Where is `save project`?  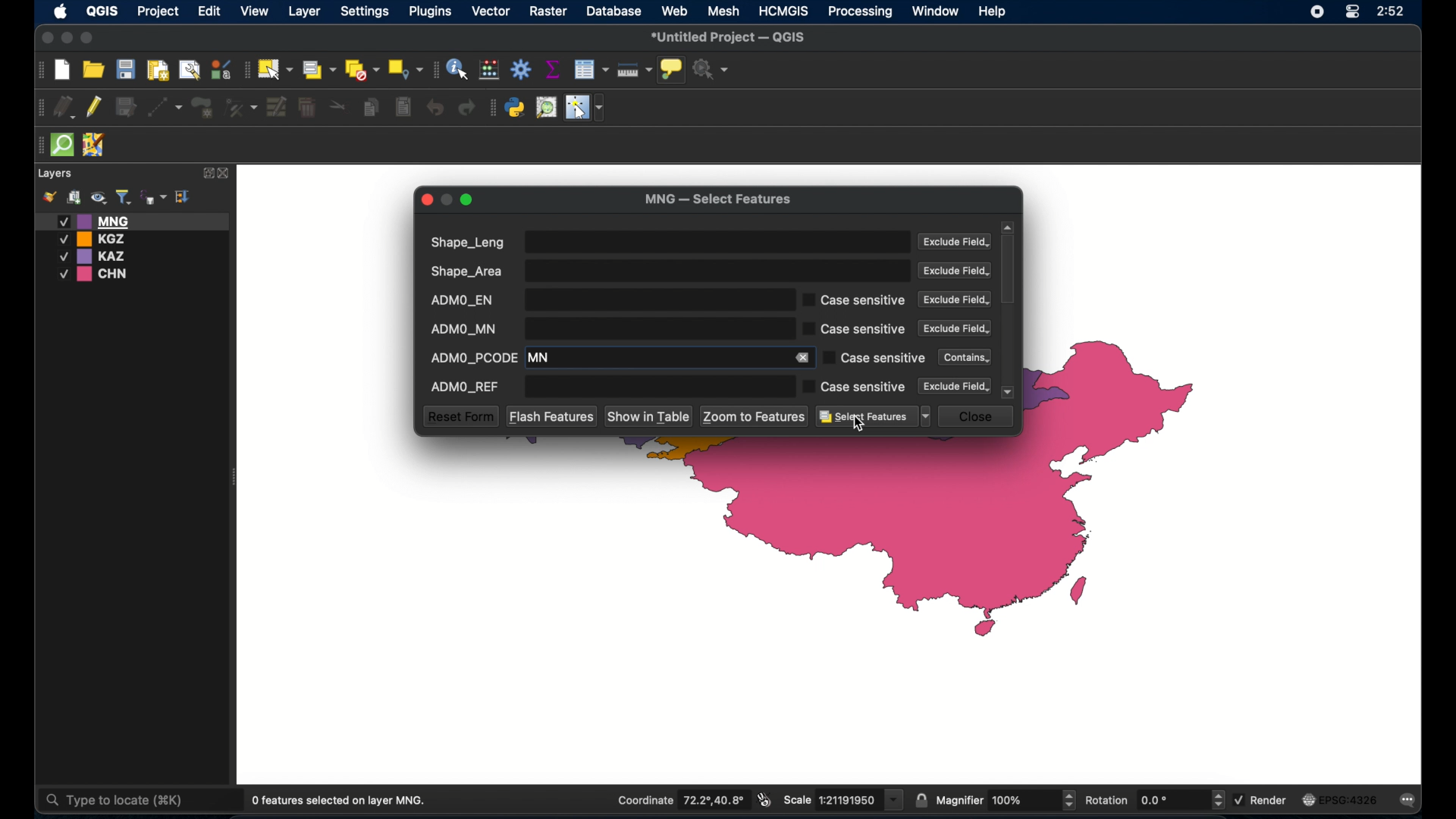 save project is located at coordinates (125, 69).